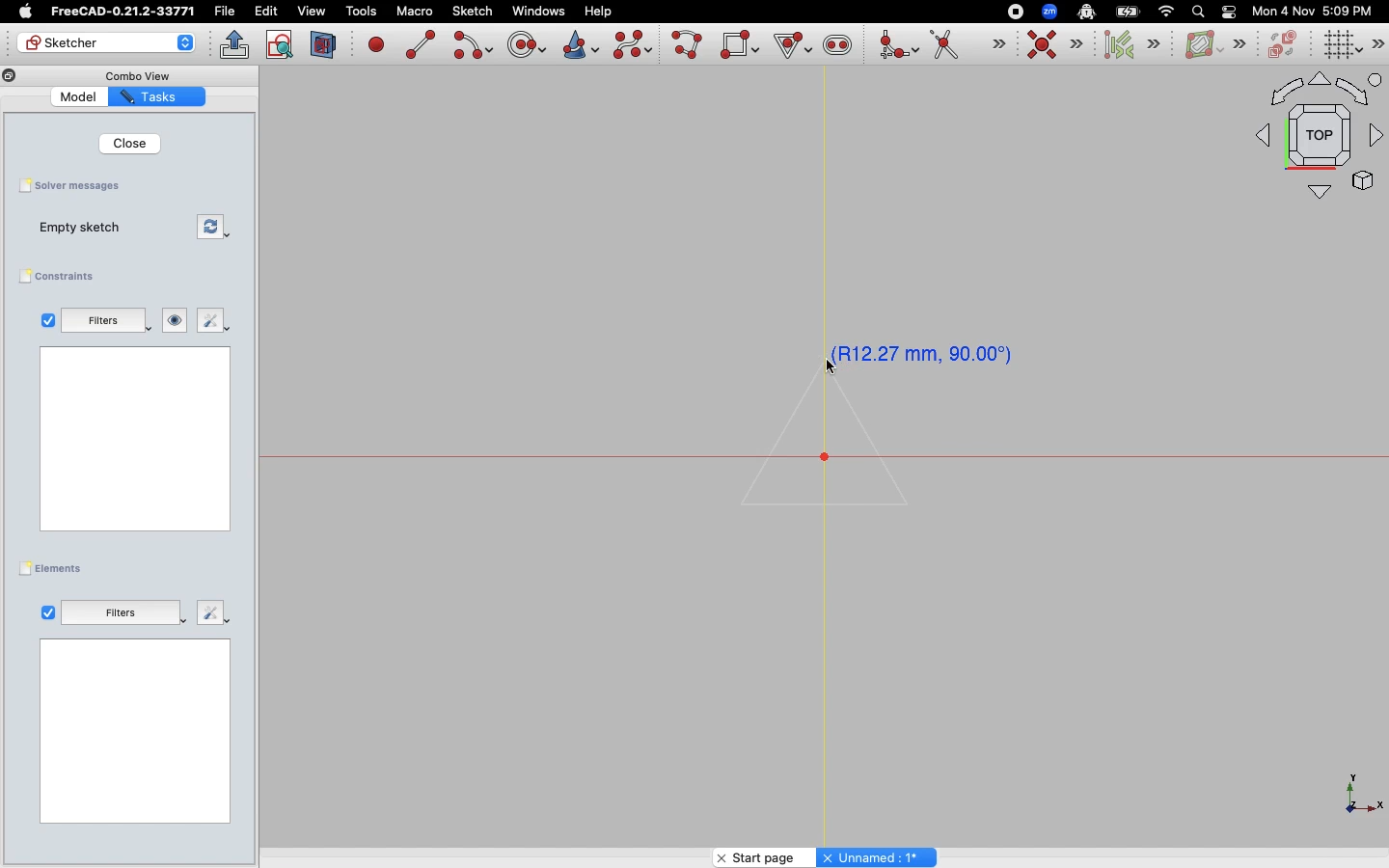 This screenshot has height=868, width=1389. What do you see at coordinates (361, 13) in the screenshot?
I see `Tools` at bounding box center [361, 13].